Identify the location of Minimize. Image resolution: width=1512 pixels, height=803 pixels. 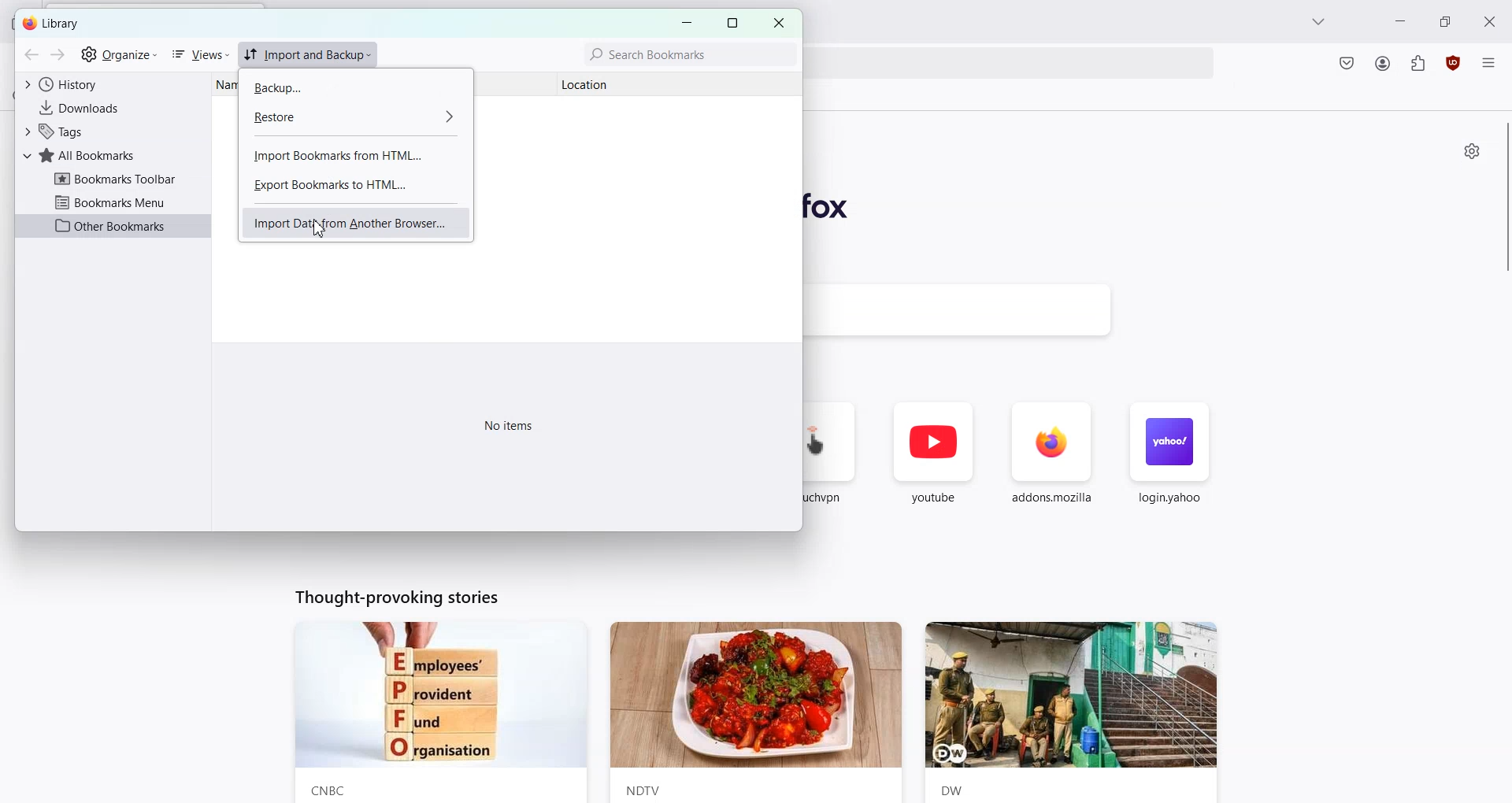
(686, 23).